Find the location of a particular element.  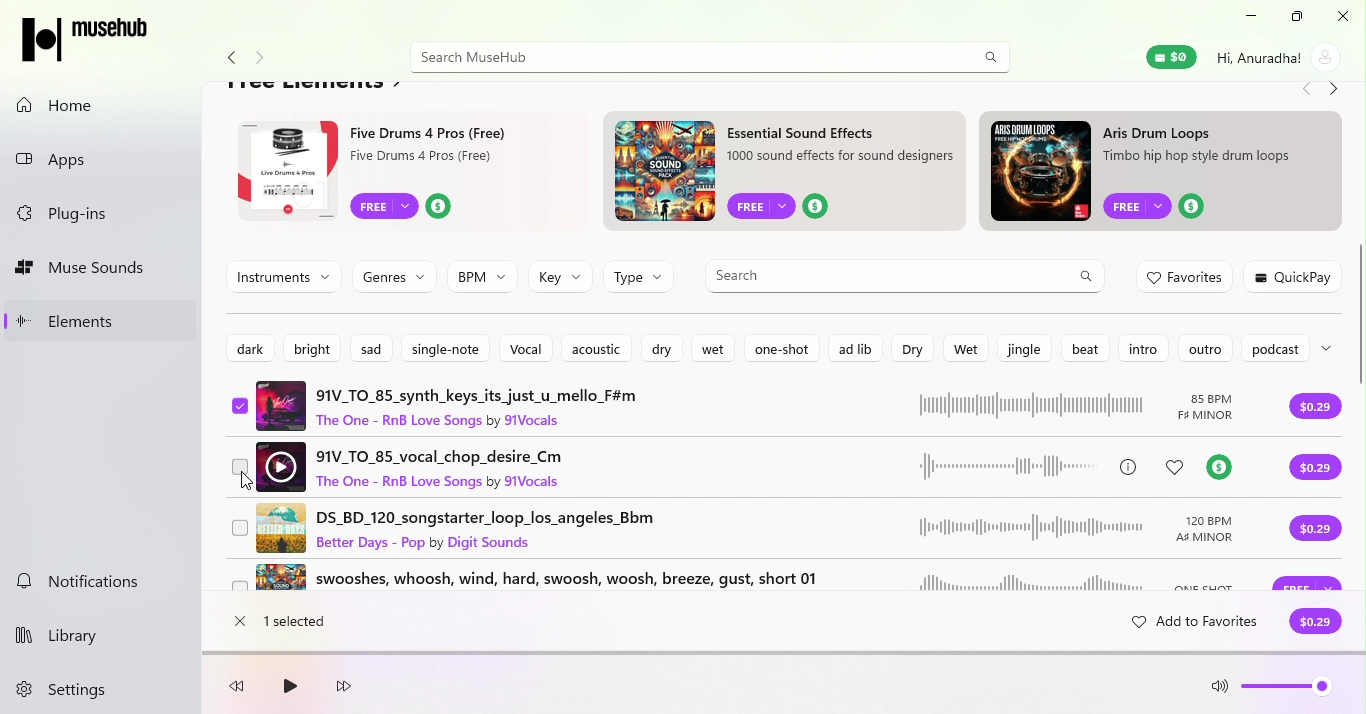

Library is located at coordinates (84, 632).